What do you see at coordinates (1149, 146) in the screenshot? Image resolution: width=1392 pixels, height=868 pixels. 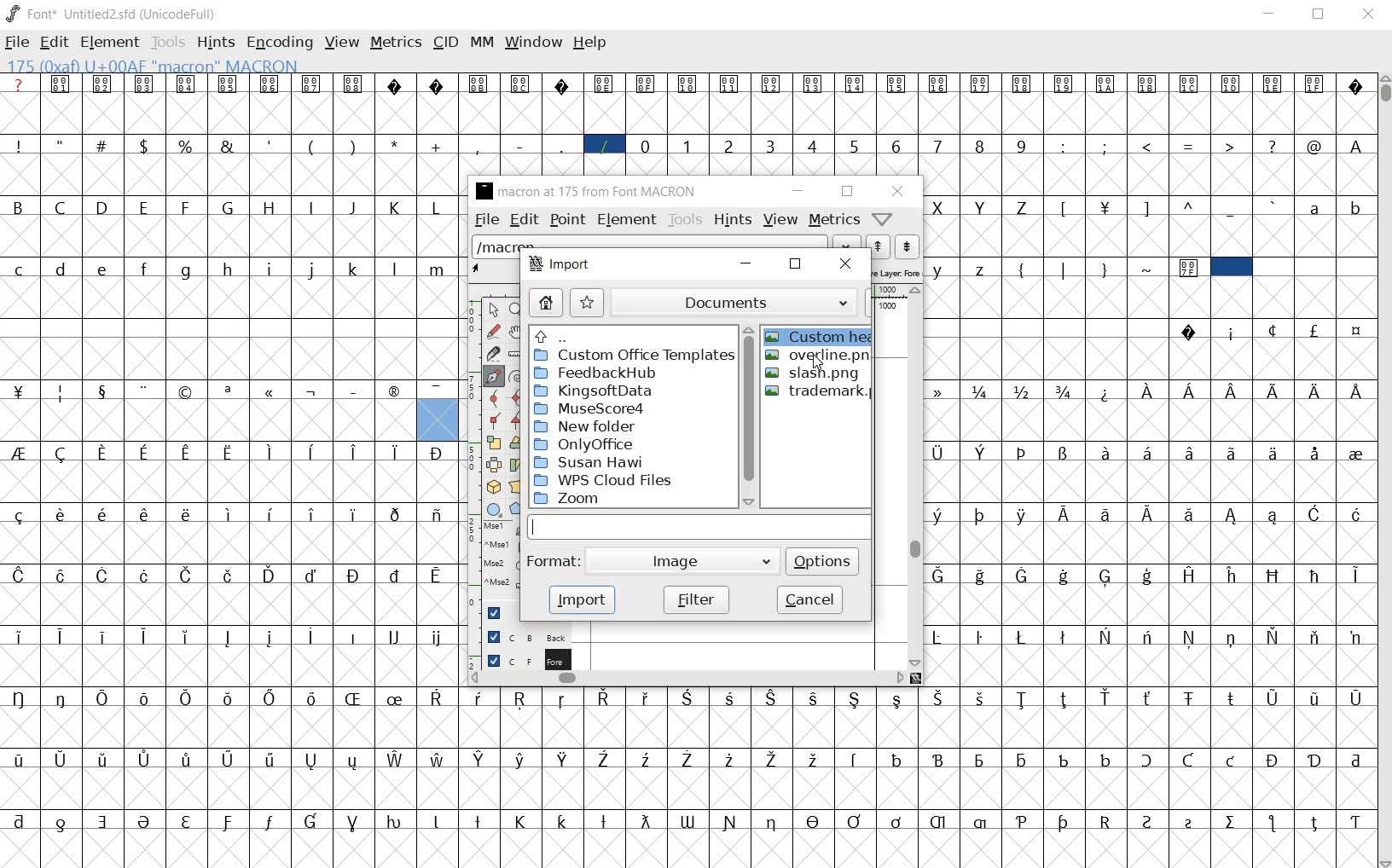 I see `<` at bounding box center [1149, 146].